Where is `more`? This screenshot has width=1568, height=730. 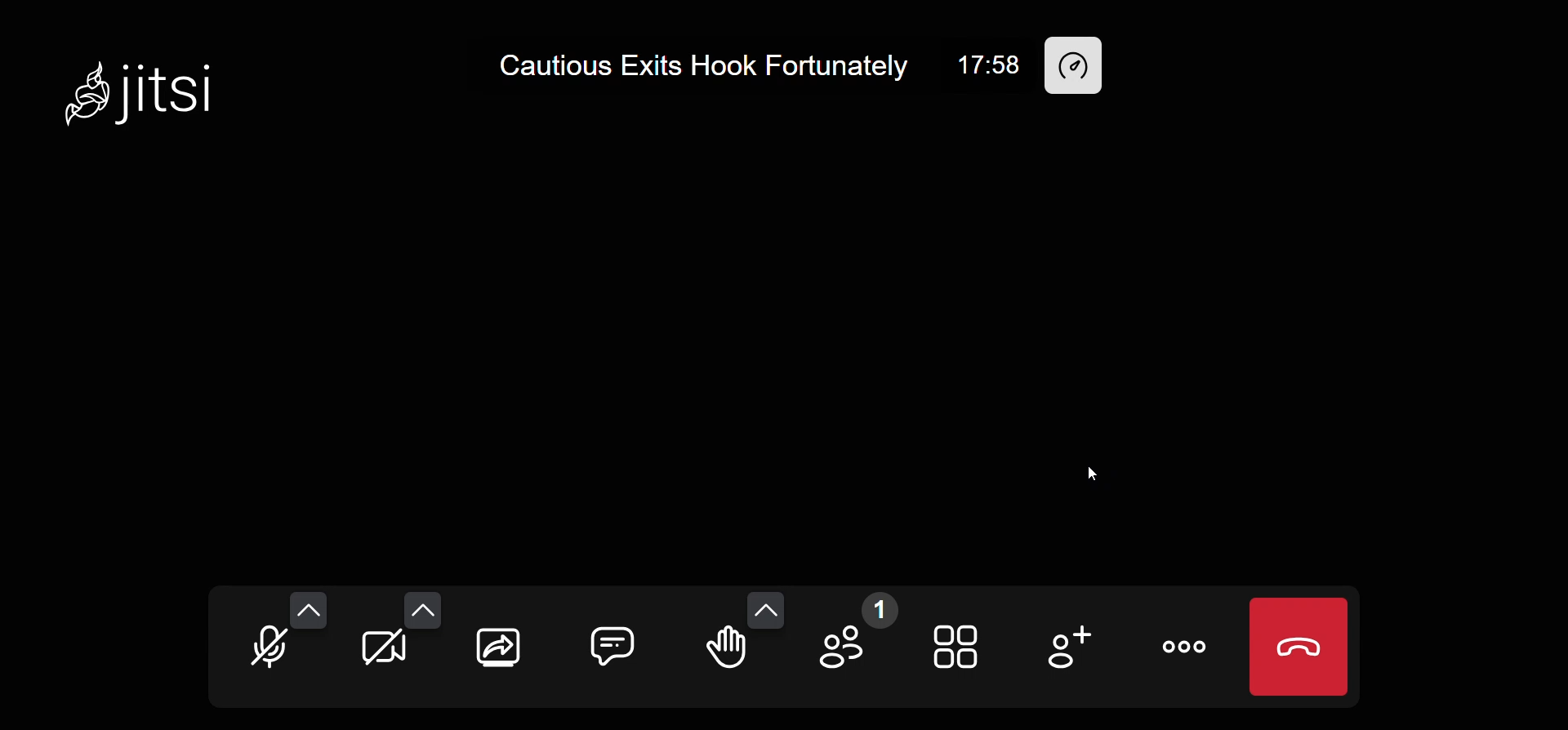 more is located at coordinates (1187, 650).